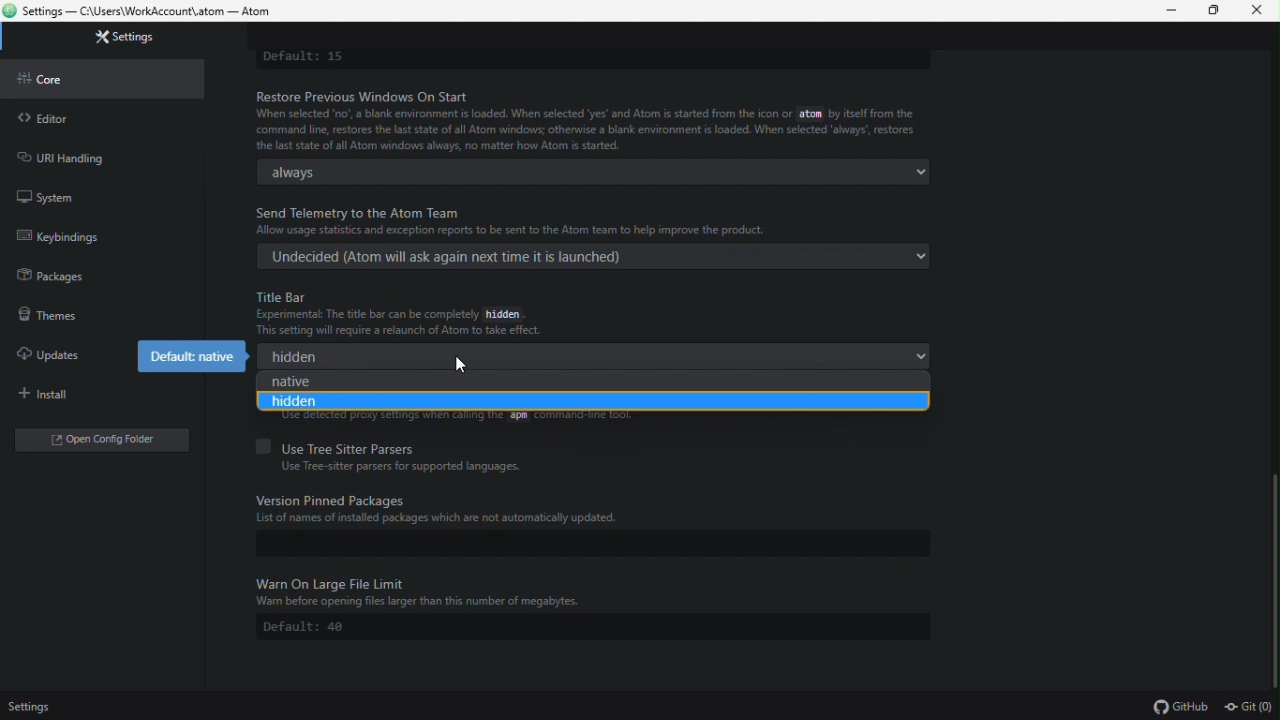 The width and height of the screenshot is (1280, 720). What do you see at coordinates (183, 354) in the screenshot?
I see `Default: native` at bounding box center [183, 354].